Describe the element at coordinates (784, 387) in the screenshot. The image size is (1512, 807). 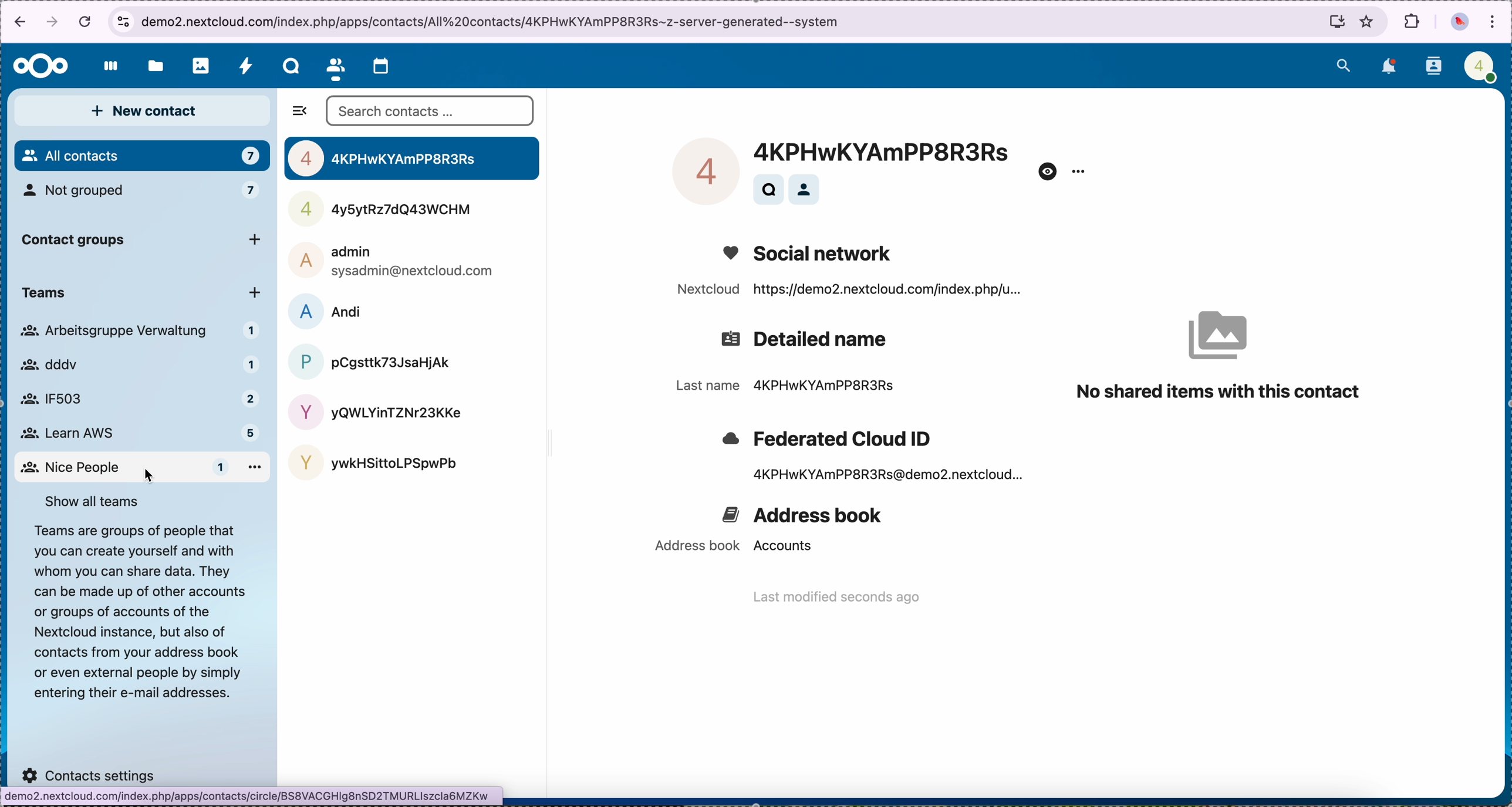
I see `last name` at that location.